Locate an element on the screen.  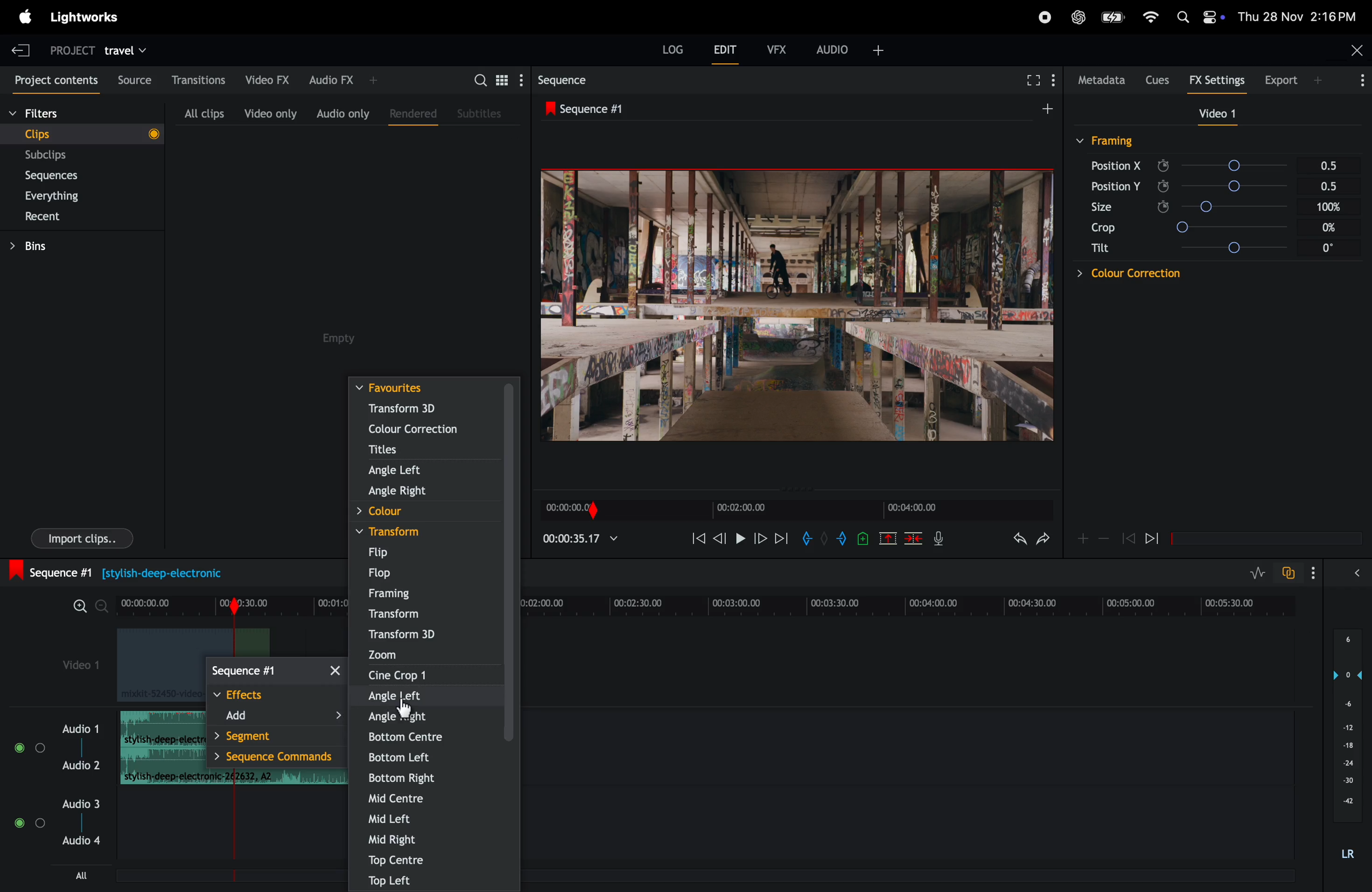
colour is located at coordinates (421, 512).